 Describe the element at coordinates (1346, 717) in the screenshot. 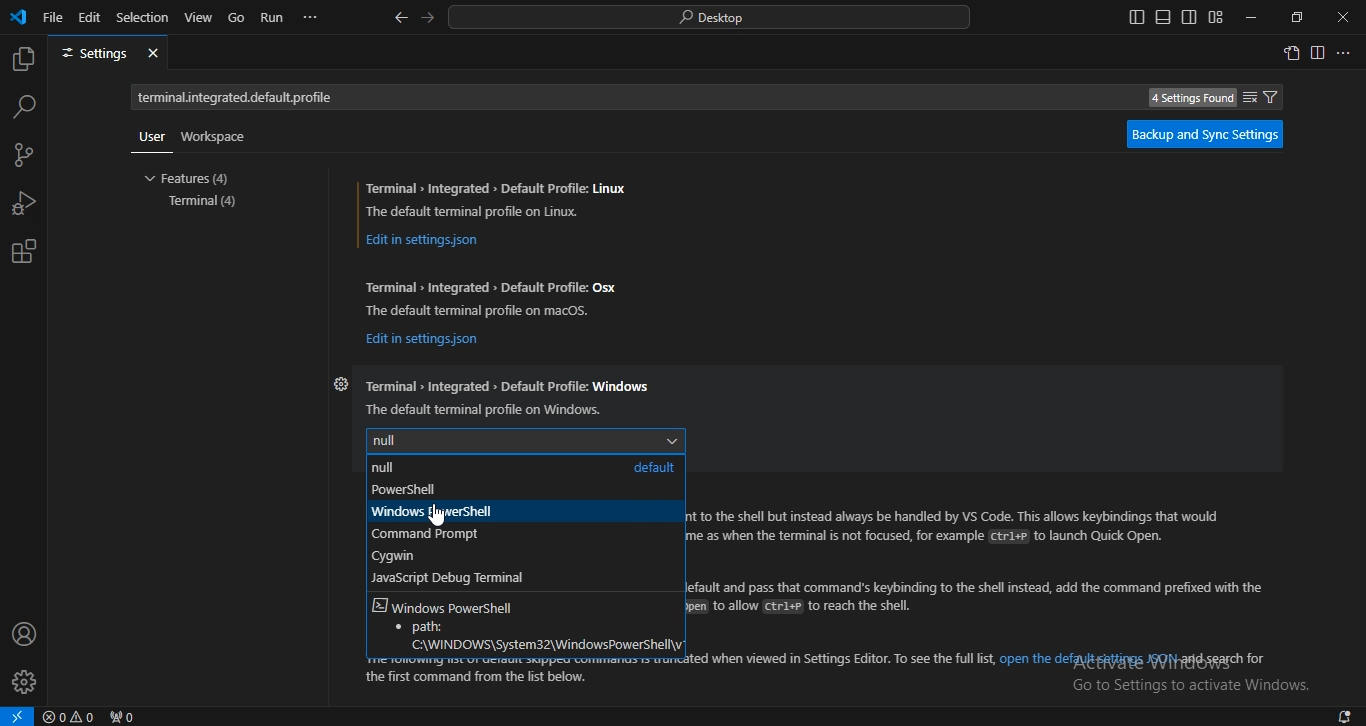

I see `notifications` at that location.